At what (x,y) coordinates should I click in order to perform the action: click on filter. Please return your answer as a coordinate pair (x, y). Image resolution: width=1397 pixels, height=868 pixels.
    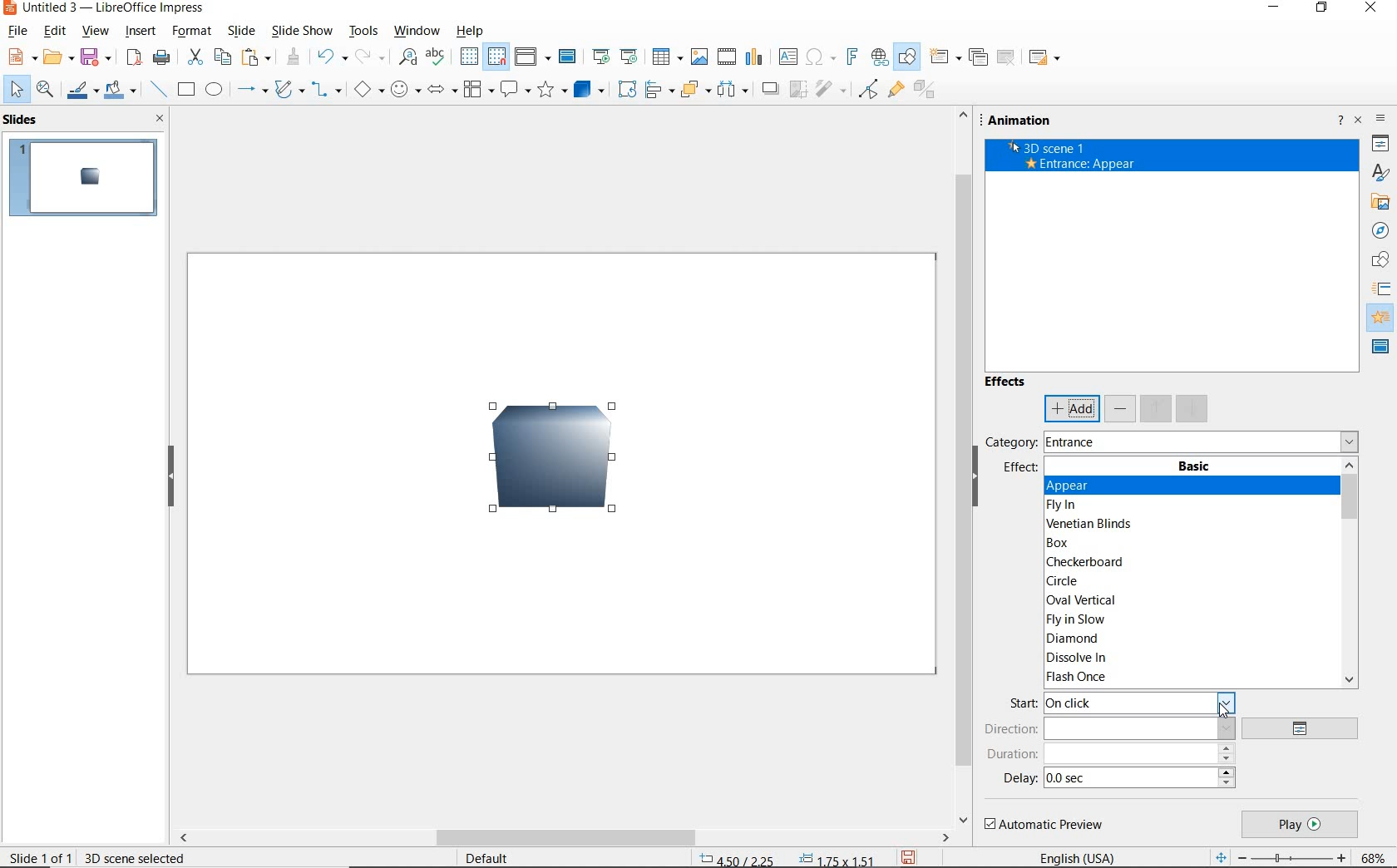
    Looking at the image, I should click on (830, 87).